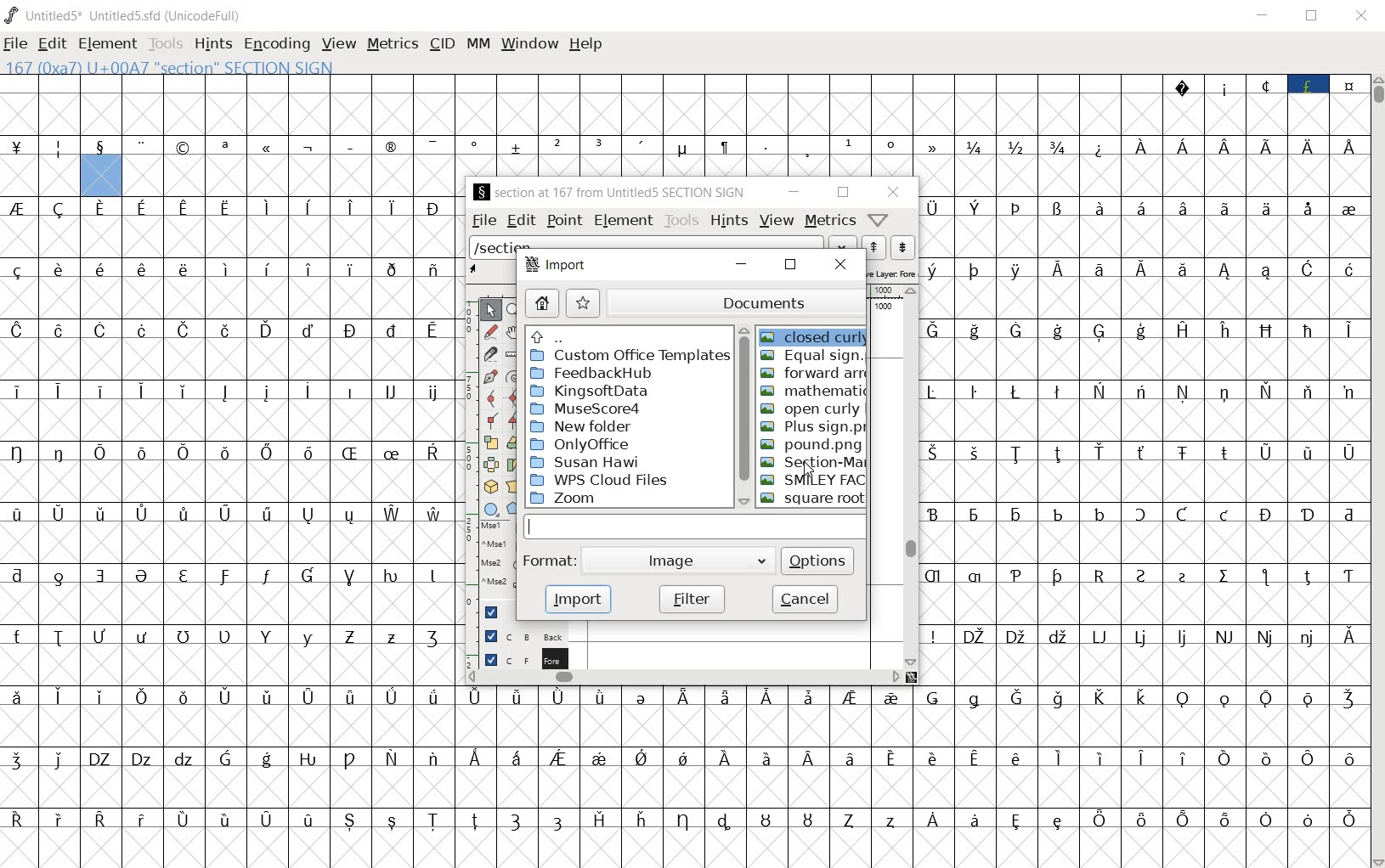 This screenshot has width=1385, height=868. What do you see at coordinates (559, 267) in the screenshot?
I see `import` at bounding box center [559, 267].